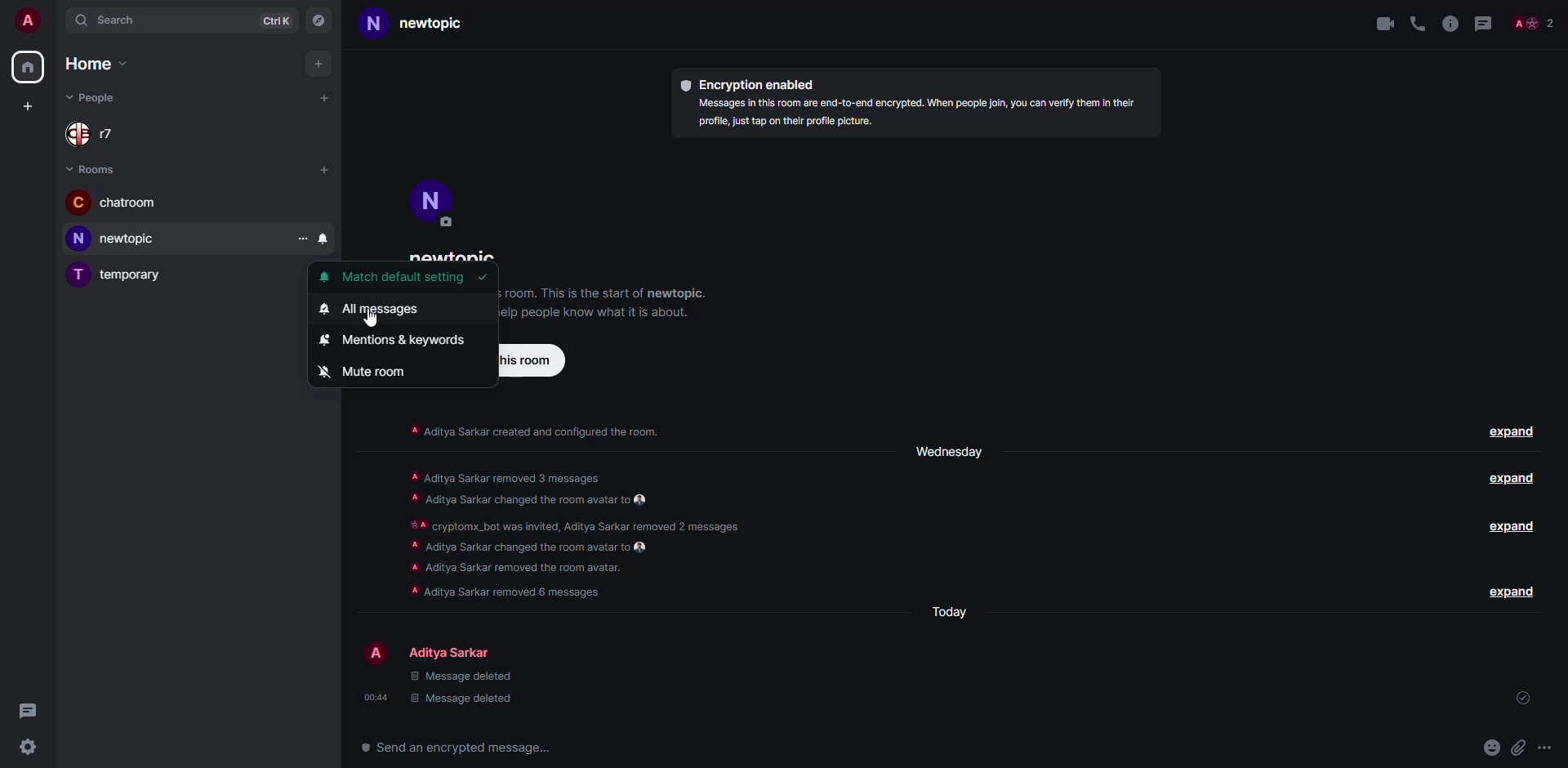  Describe the element at coordinates (452, 654) in the screenshot. I see `people` at that location.